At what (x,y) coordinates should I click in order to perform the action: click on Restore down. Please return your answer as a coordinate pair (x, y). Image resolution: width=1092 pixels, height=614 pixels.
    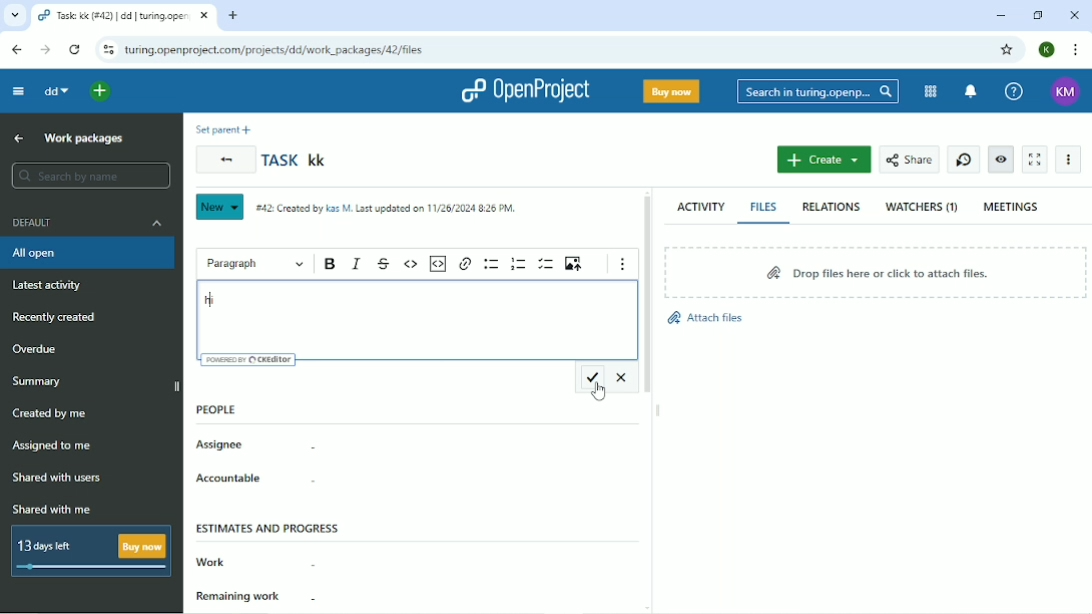
    Looking at the image, I should click on (1040, 15).